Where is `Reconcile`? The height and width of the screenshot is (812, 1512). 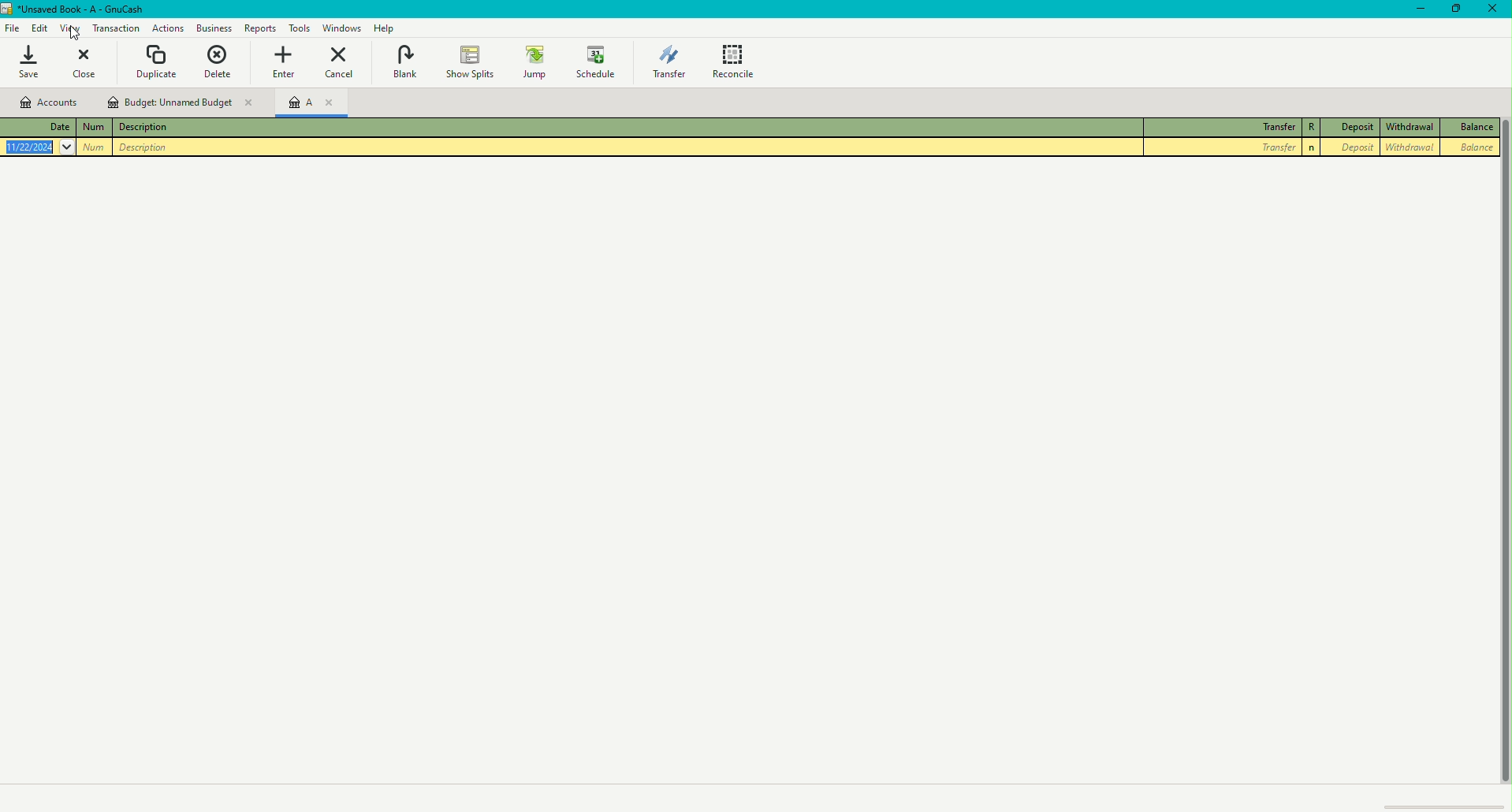 Reconcile is located at coordinates (737, 61).